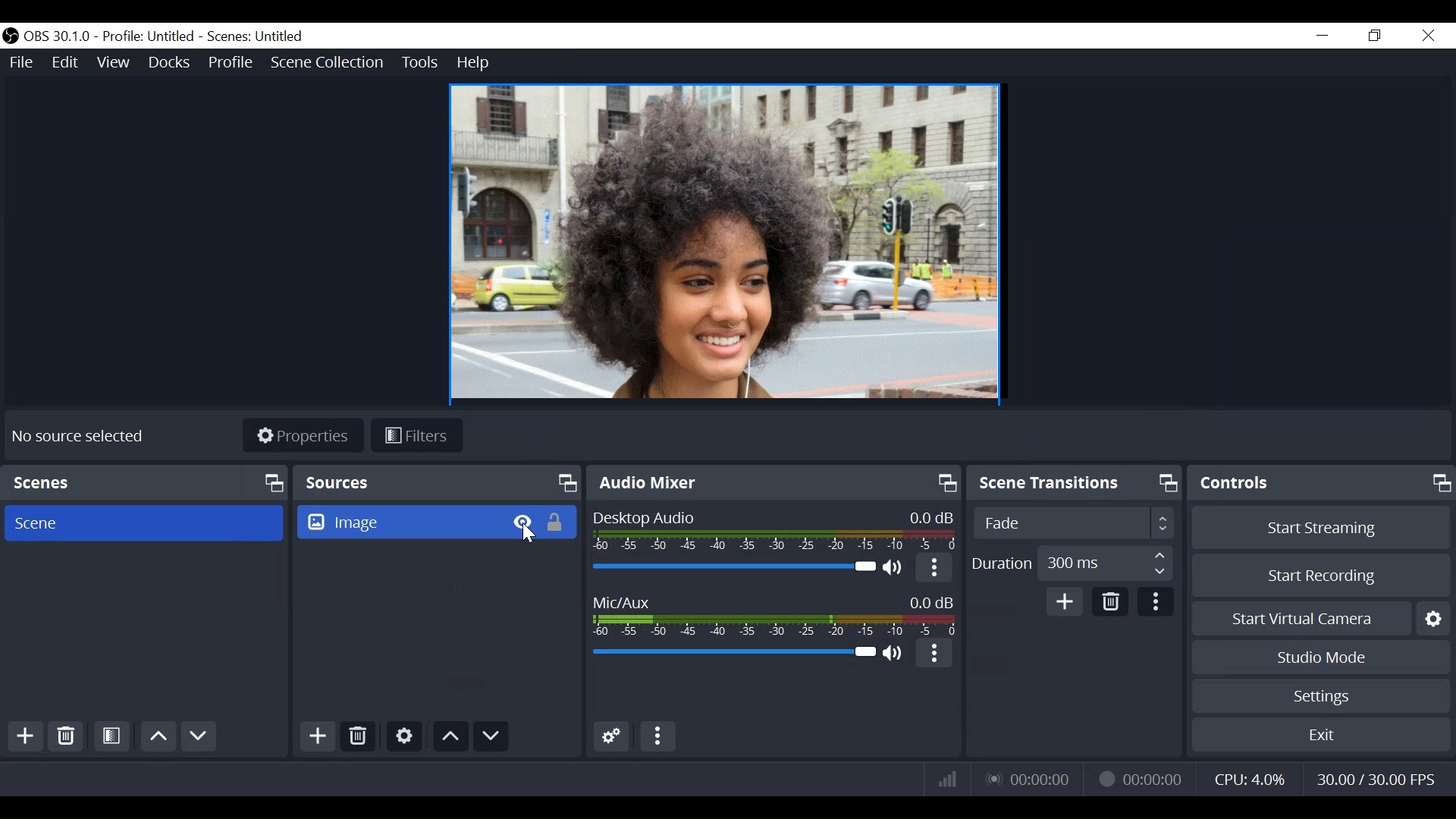 The height and width of the screenshot is (819, 1456). Describe the element at coordinates (144, 482) in the screenshot. I see `Scenes` at that location.